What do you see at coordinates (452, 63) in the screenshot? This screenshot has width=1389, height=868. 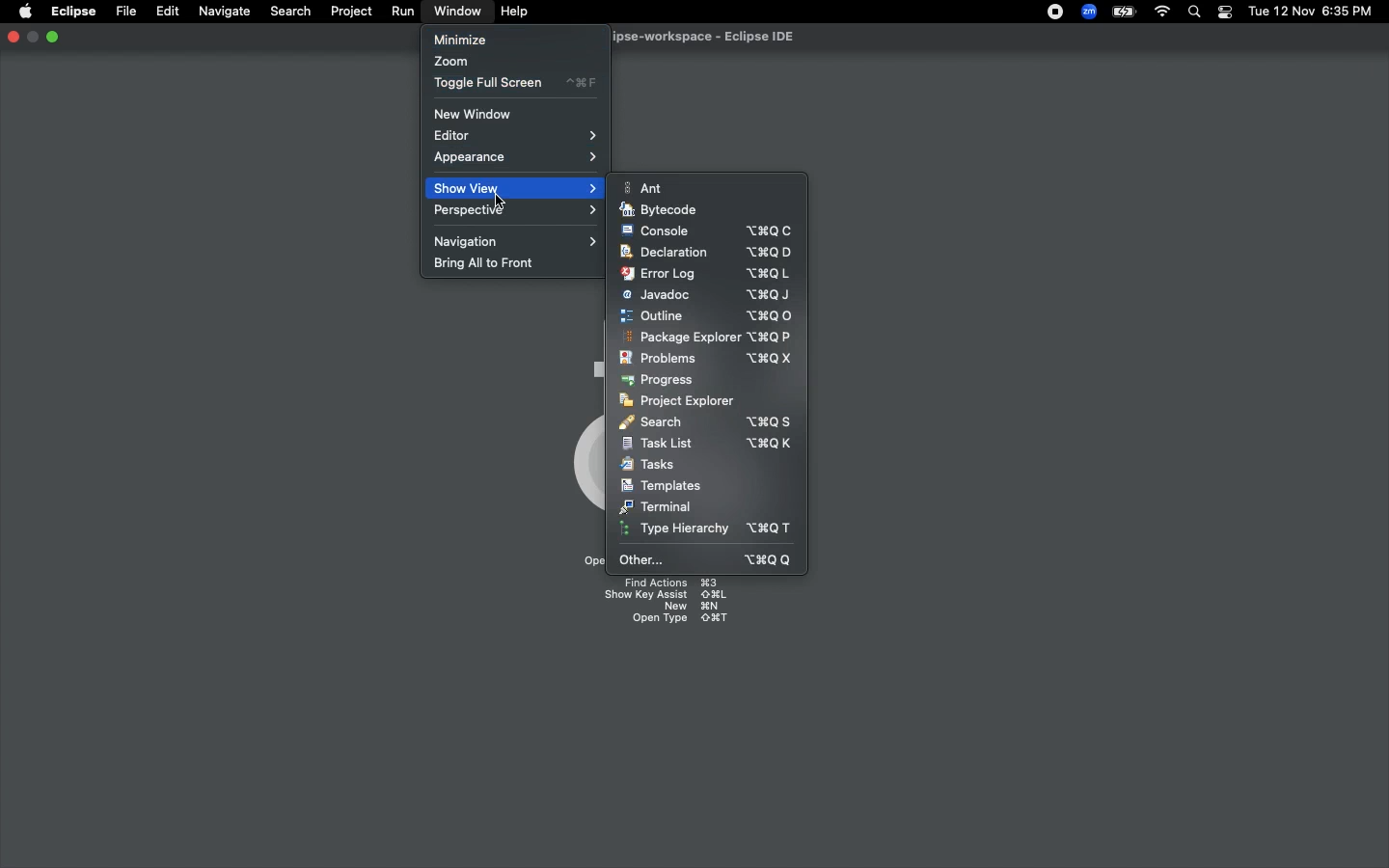 I see `Zoom` at bounding box center [452, 63].